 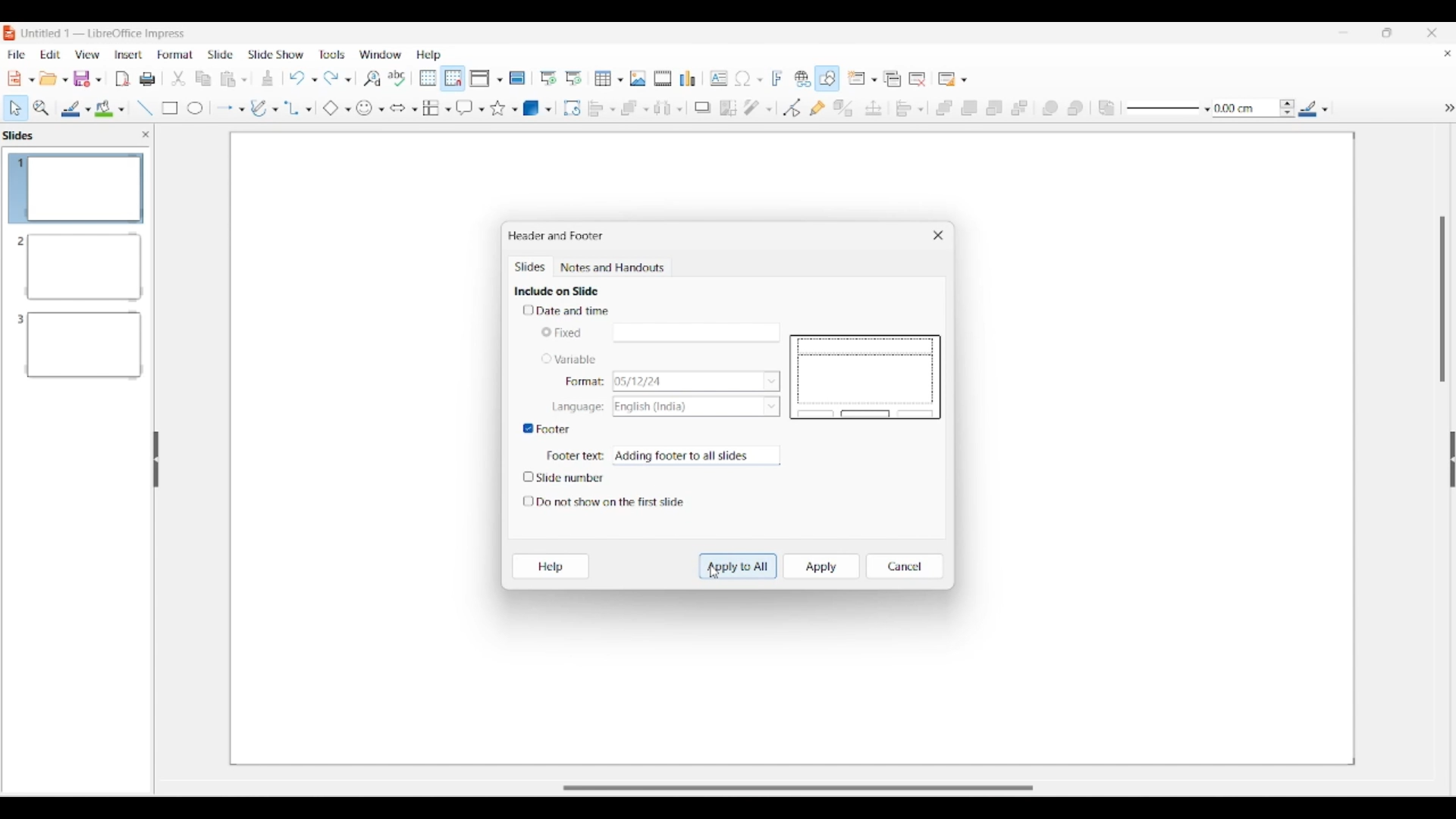 What do you see at coordinates (1019, 108) in the screenshot?
I see `Send to back` at bounding box center [1019, 108].